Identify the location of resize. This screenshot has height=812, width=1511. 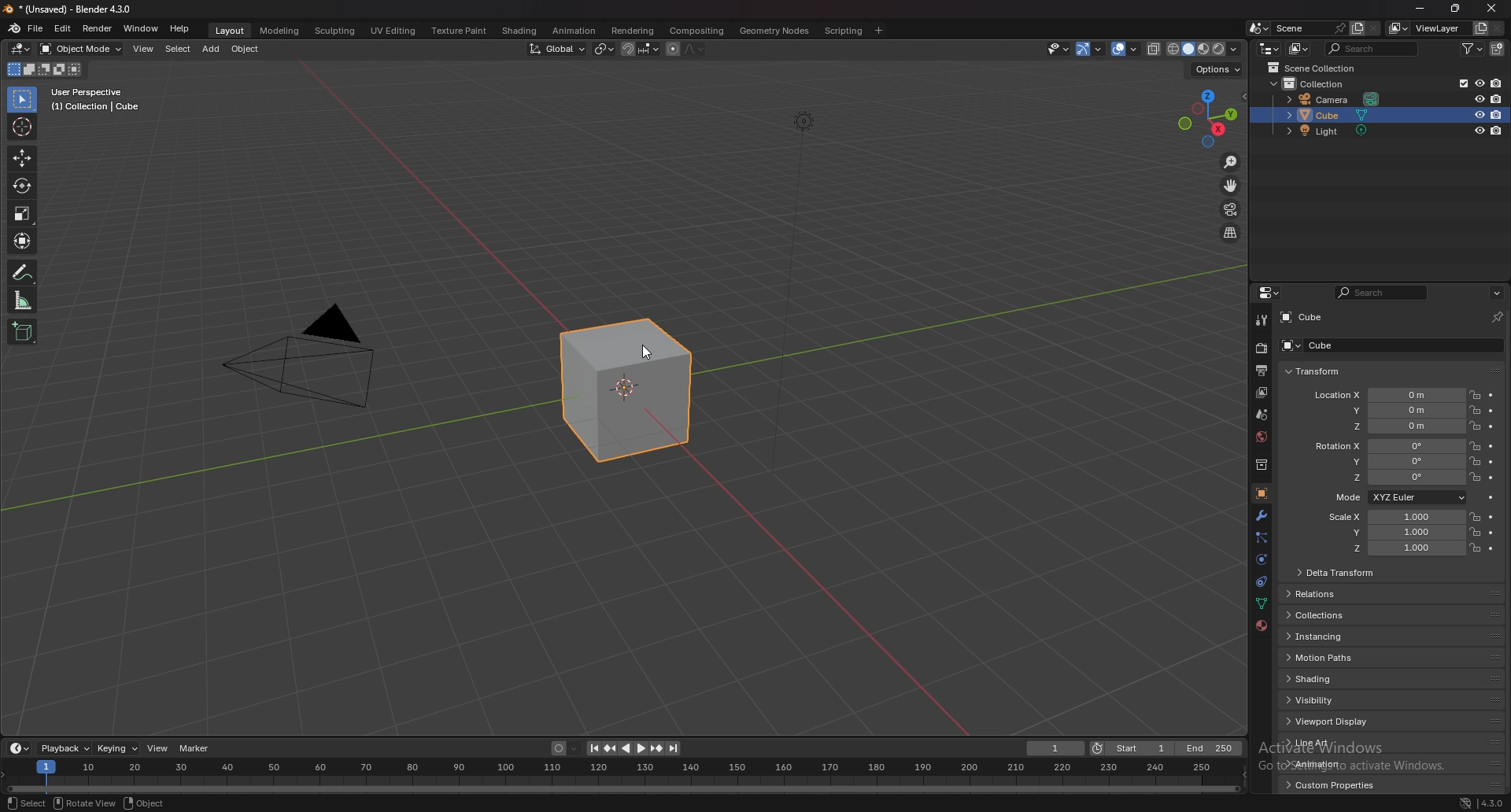
(1454, 9).